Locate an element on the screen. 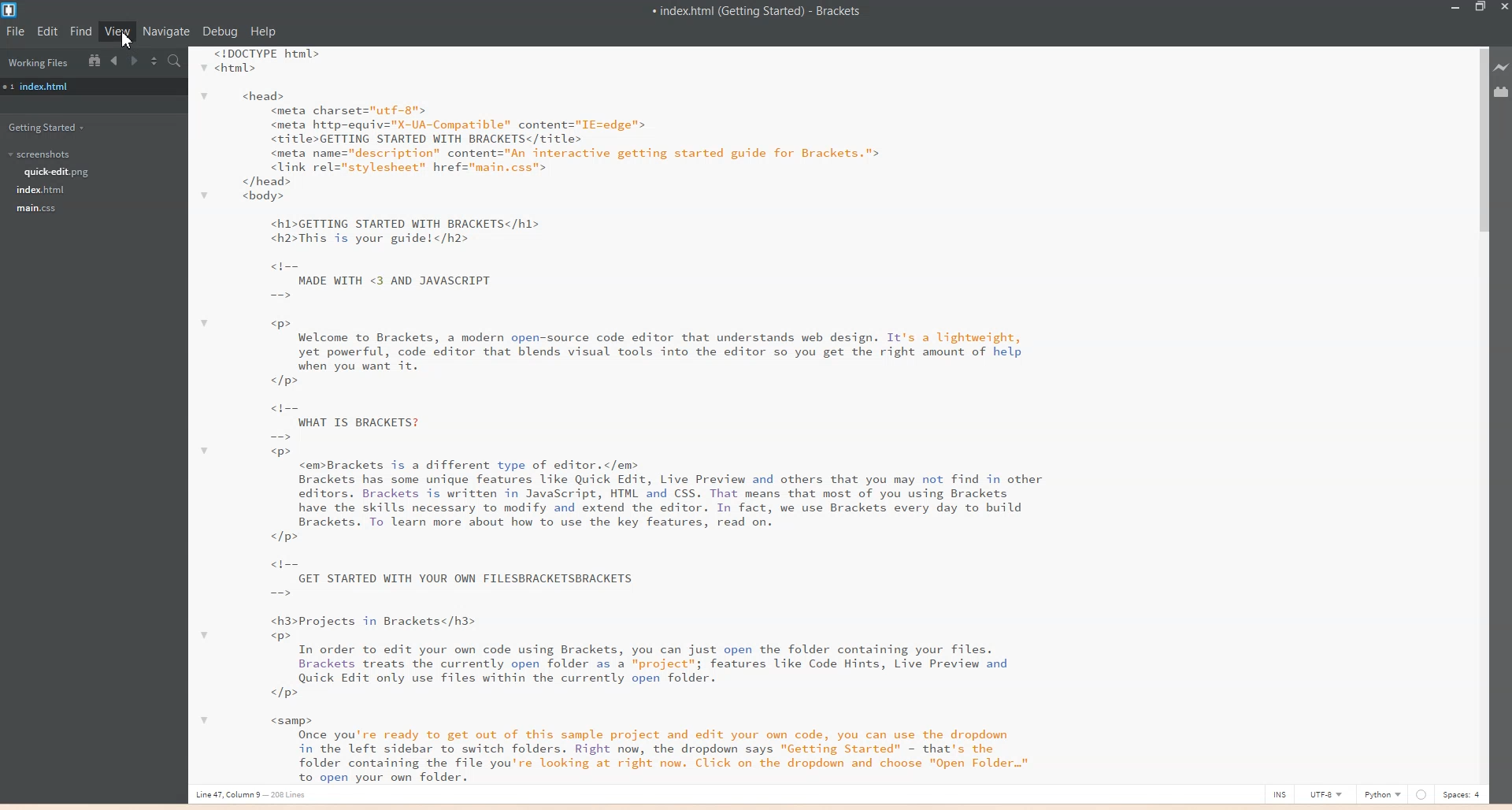  quick-edit.png is located at coordinates (59, 173).